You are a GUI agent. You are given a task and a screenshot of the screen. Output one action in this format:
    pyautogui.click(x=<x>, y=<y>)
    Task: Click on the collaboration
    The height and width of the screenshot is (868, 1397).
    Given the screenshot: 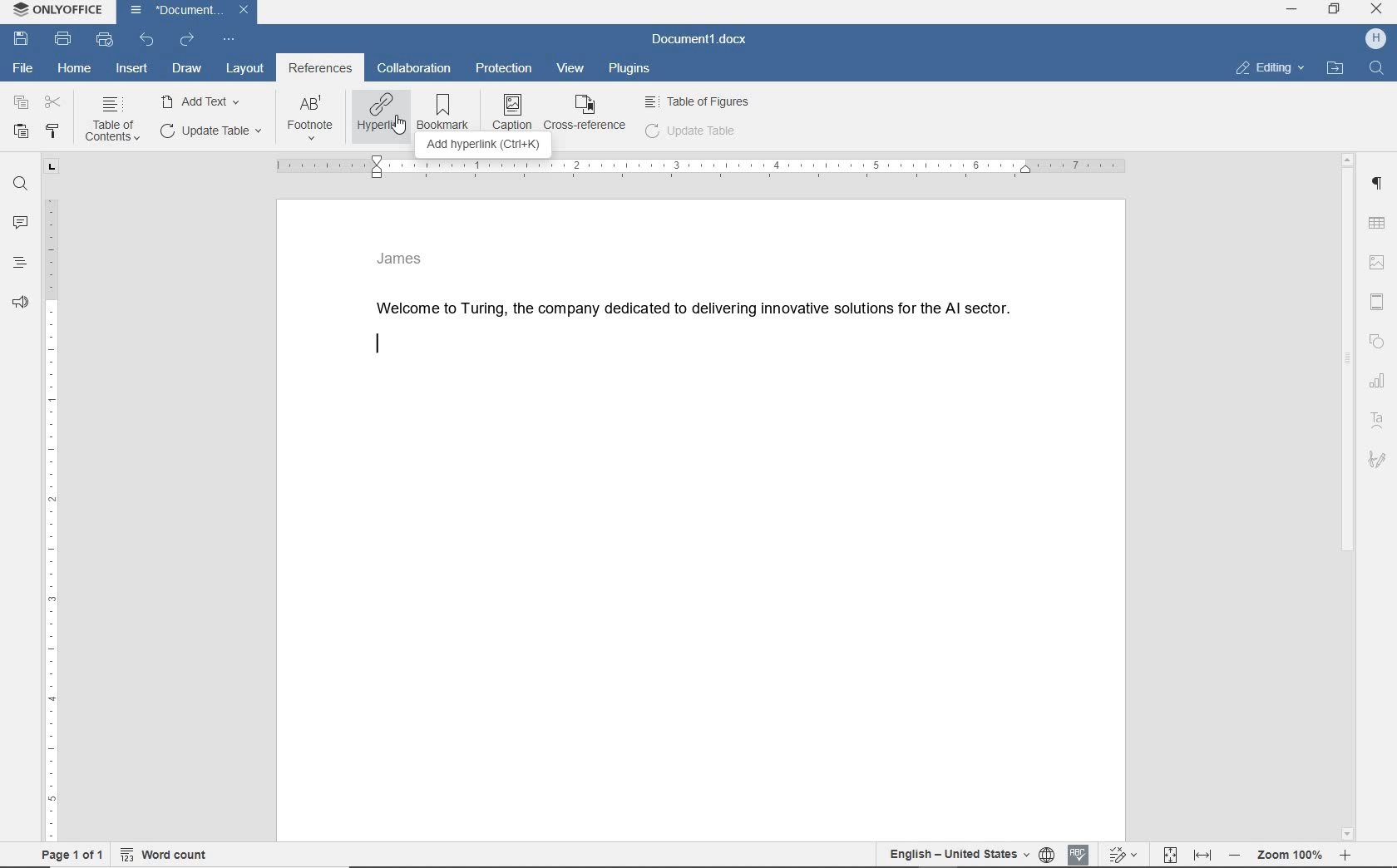 What is the action you would take?
    pyautogui.click(x=417, y=69)
    